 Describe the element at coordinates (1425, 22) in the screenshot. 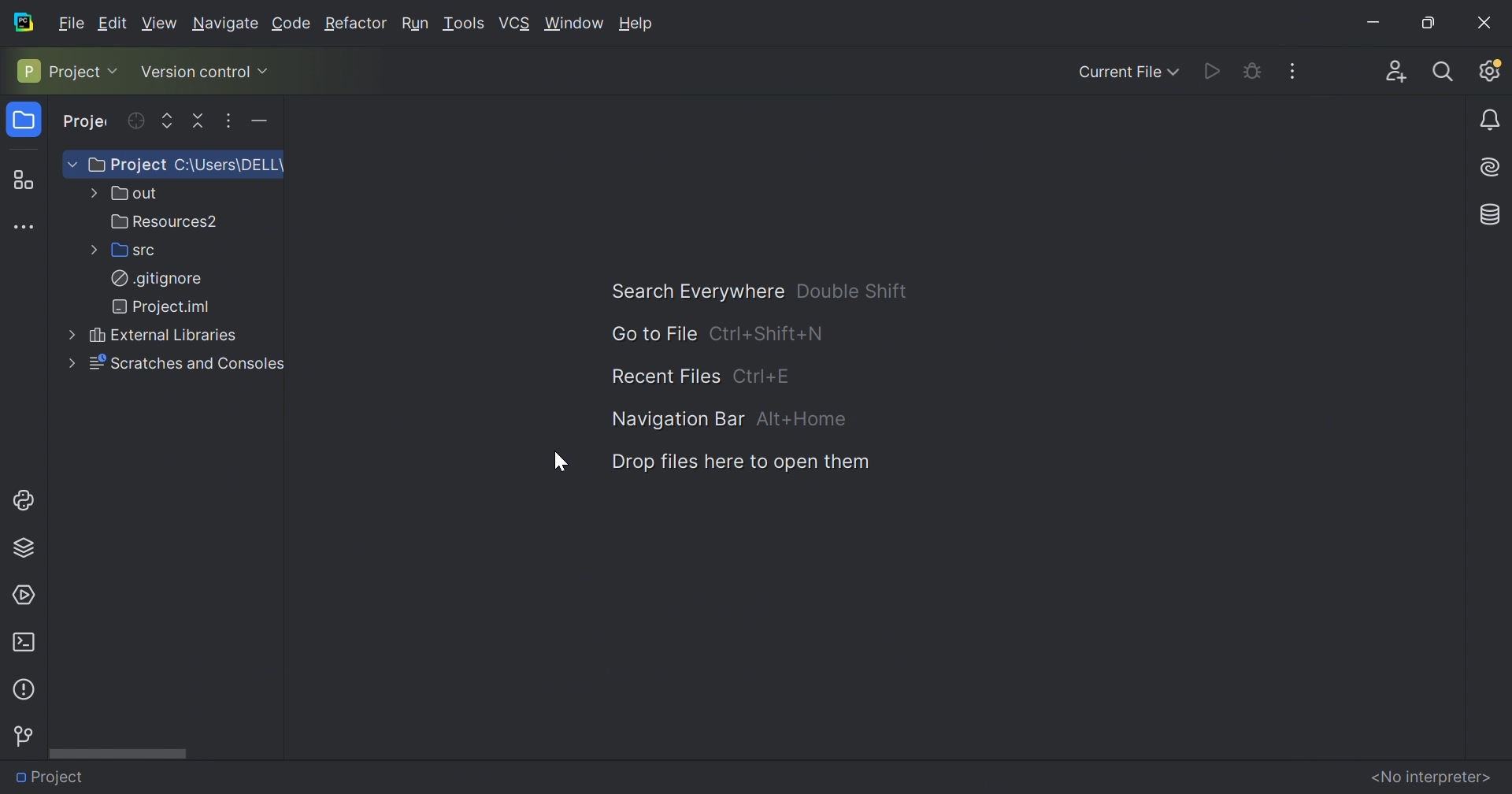

I see `Restore Down` at that location.